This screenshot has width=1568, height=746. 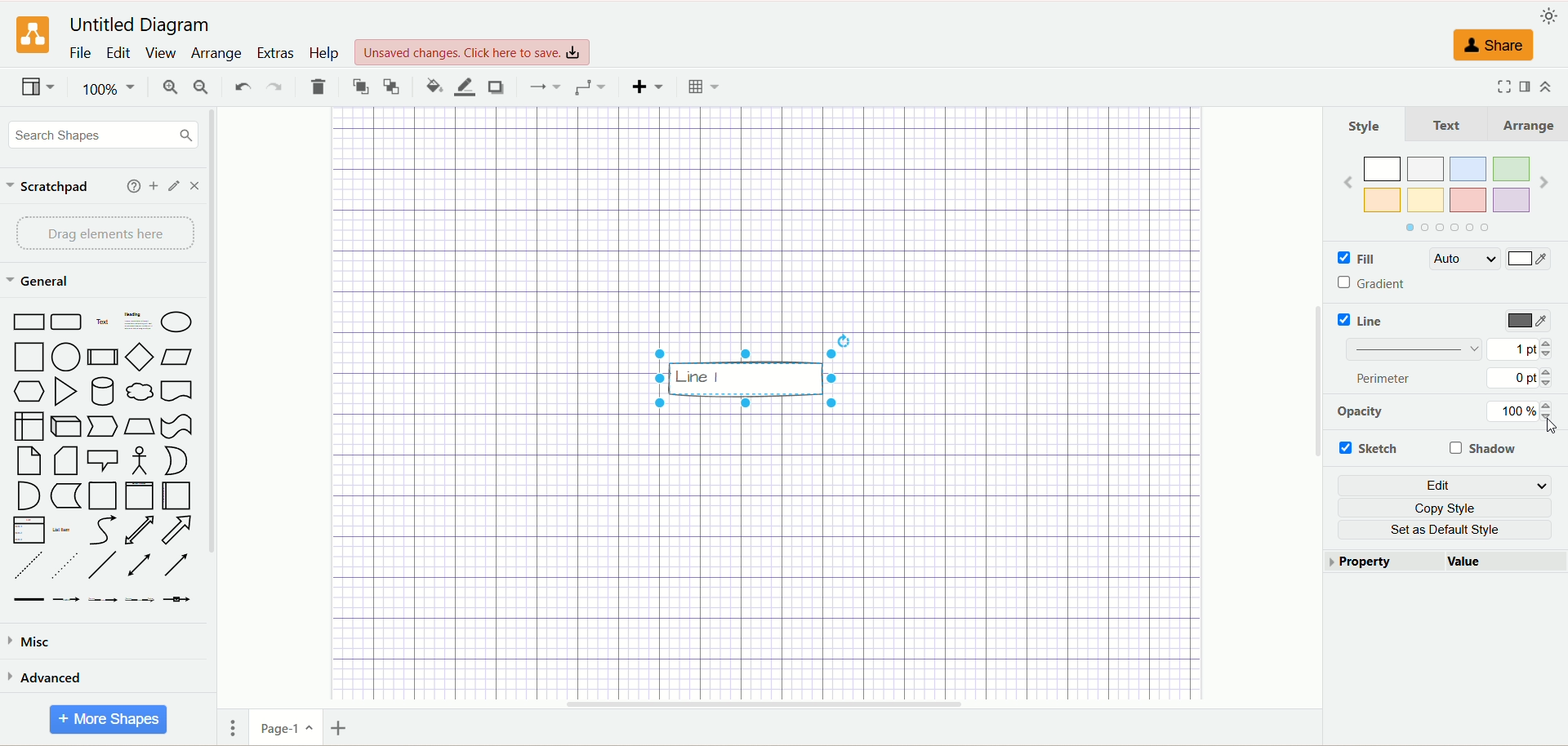 I want to click on Linebar, so click(x=1418, y=350).